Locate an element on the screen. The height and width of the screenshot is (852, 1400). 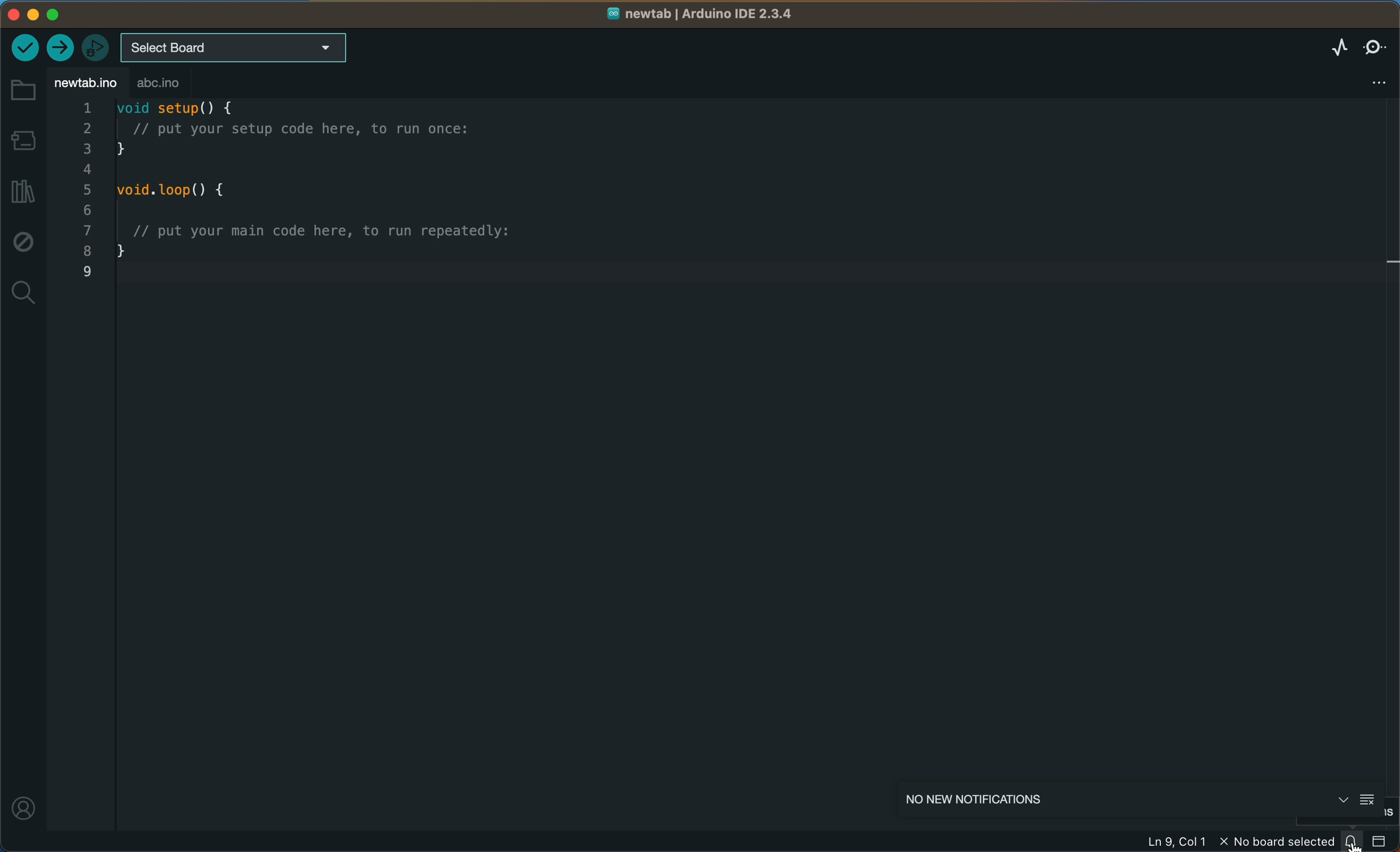
folder is located at coordinates (23, 90).